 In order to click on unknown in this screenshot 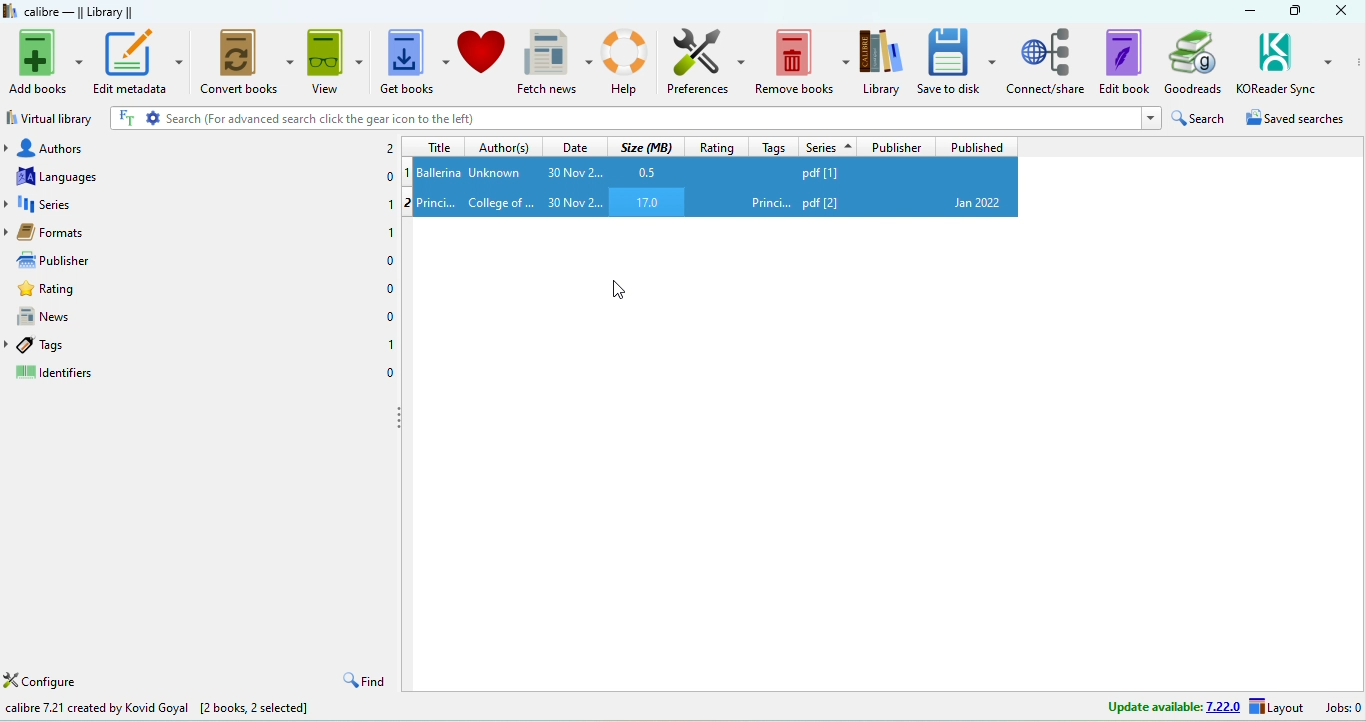, I will do `click(500, 173)`.